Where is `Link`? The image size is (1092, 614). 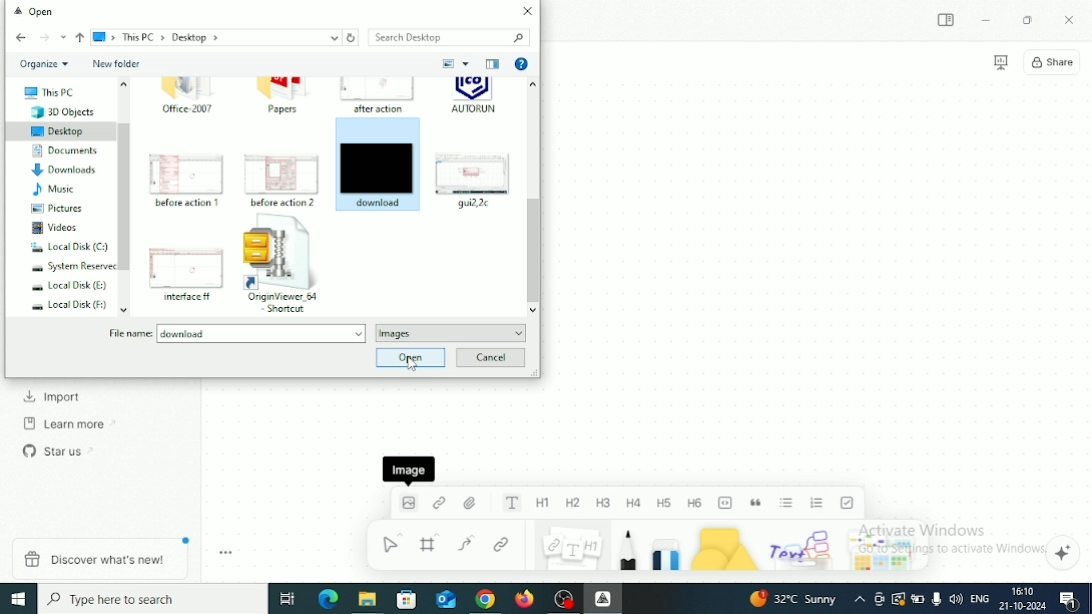
Link is located at coordinates (440, 503).